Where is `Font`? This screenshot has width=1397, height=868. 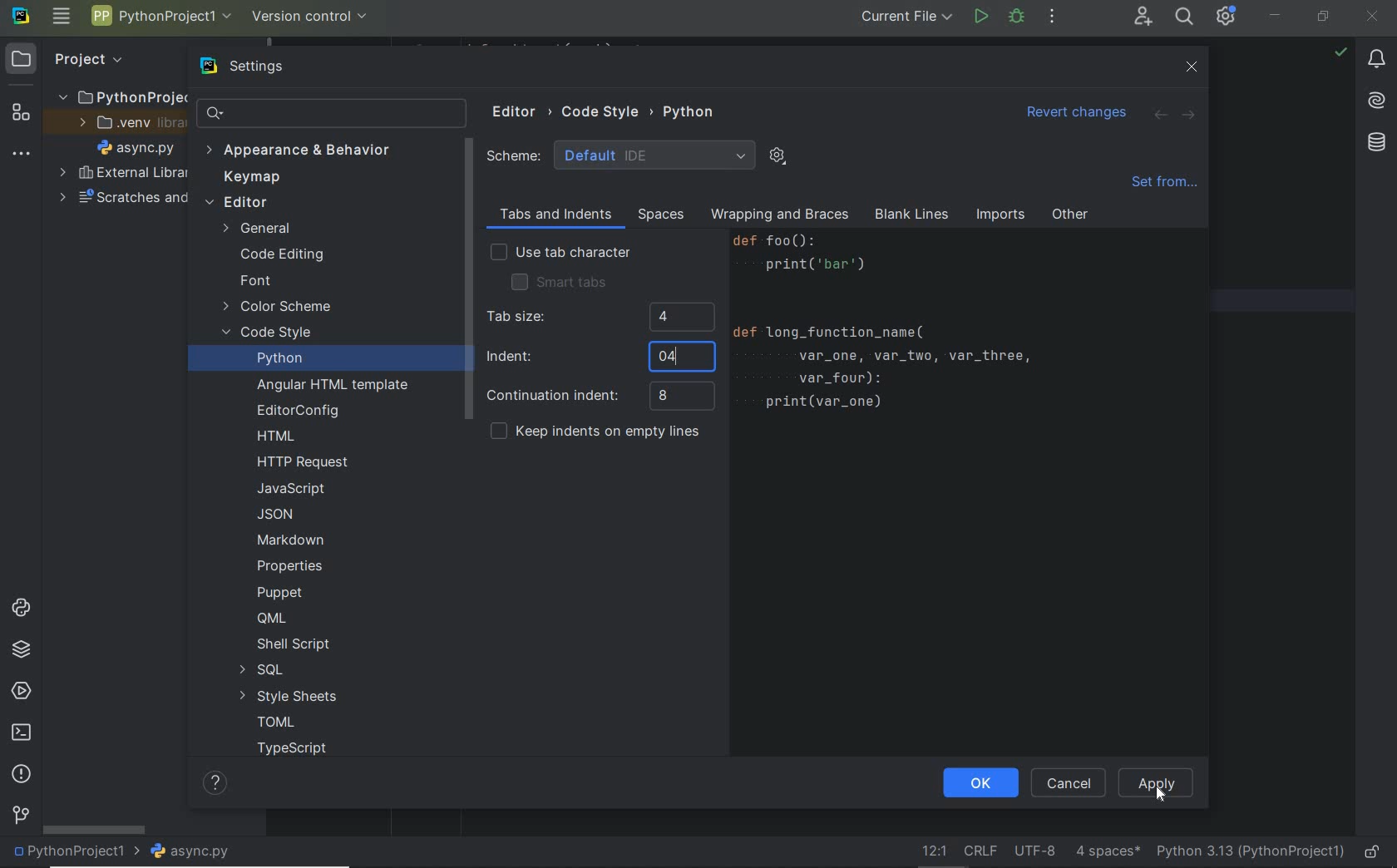
Font is located at coordinates (254, 281).